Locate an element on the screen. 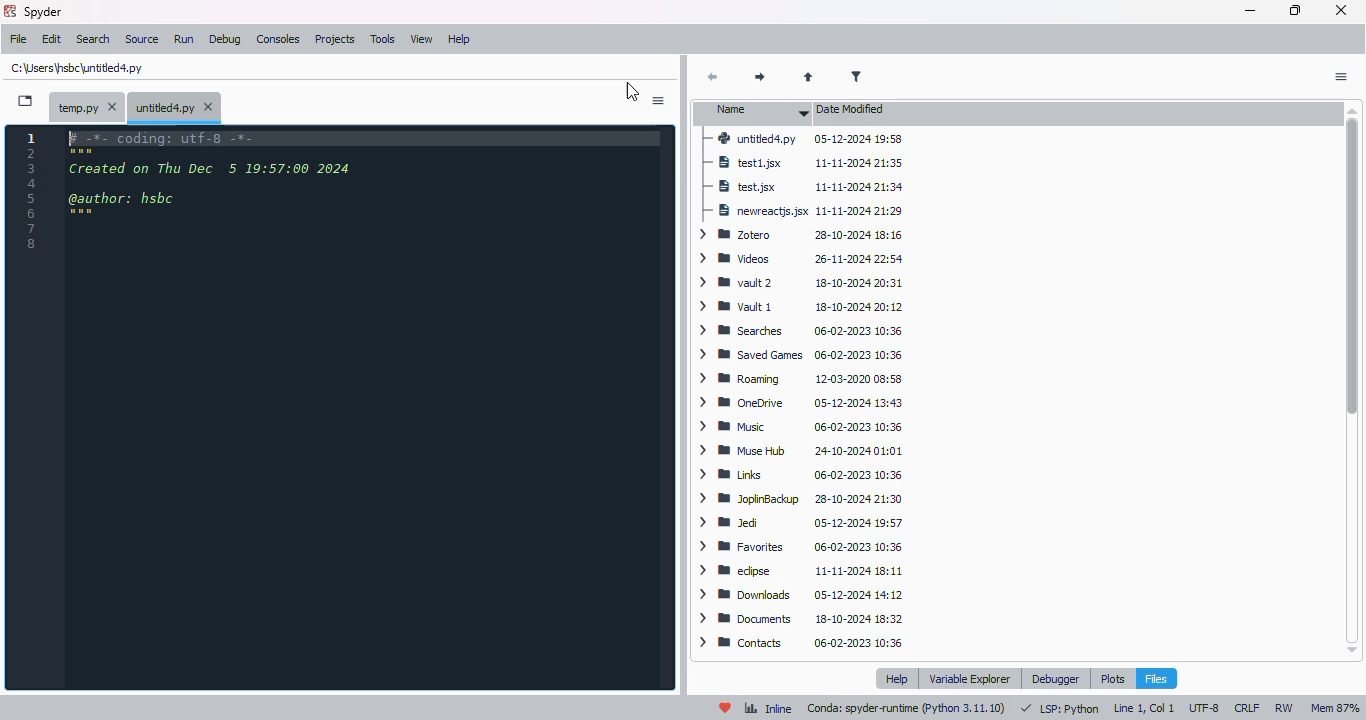 This screenshot has height=720, width=1366. next is located at coordinates (760, 78).